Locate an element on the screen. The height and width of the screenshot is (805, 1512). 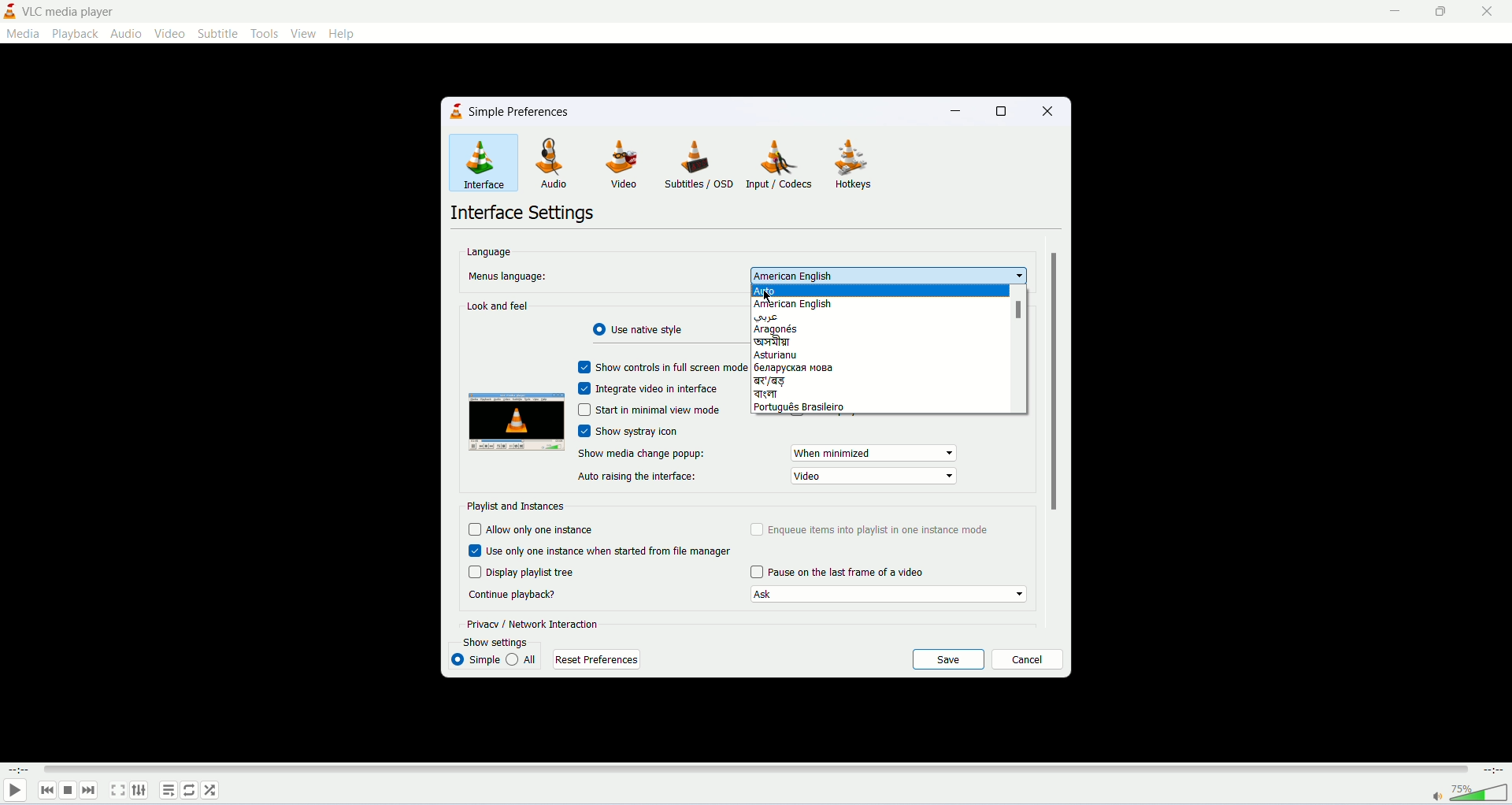
vlc media player is located at coordinates (68, 13).